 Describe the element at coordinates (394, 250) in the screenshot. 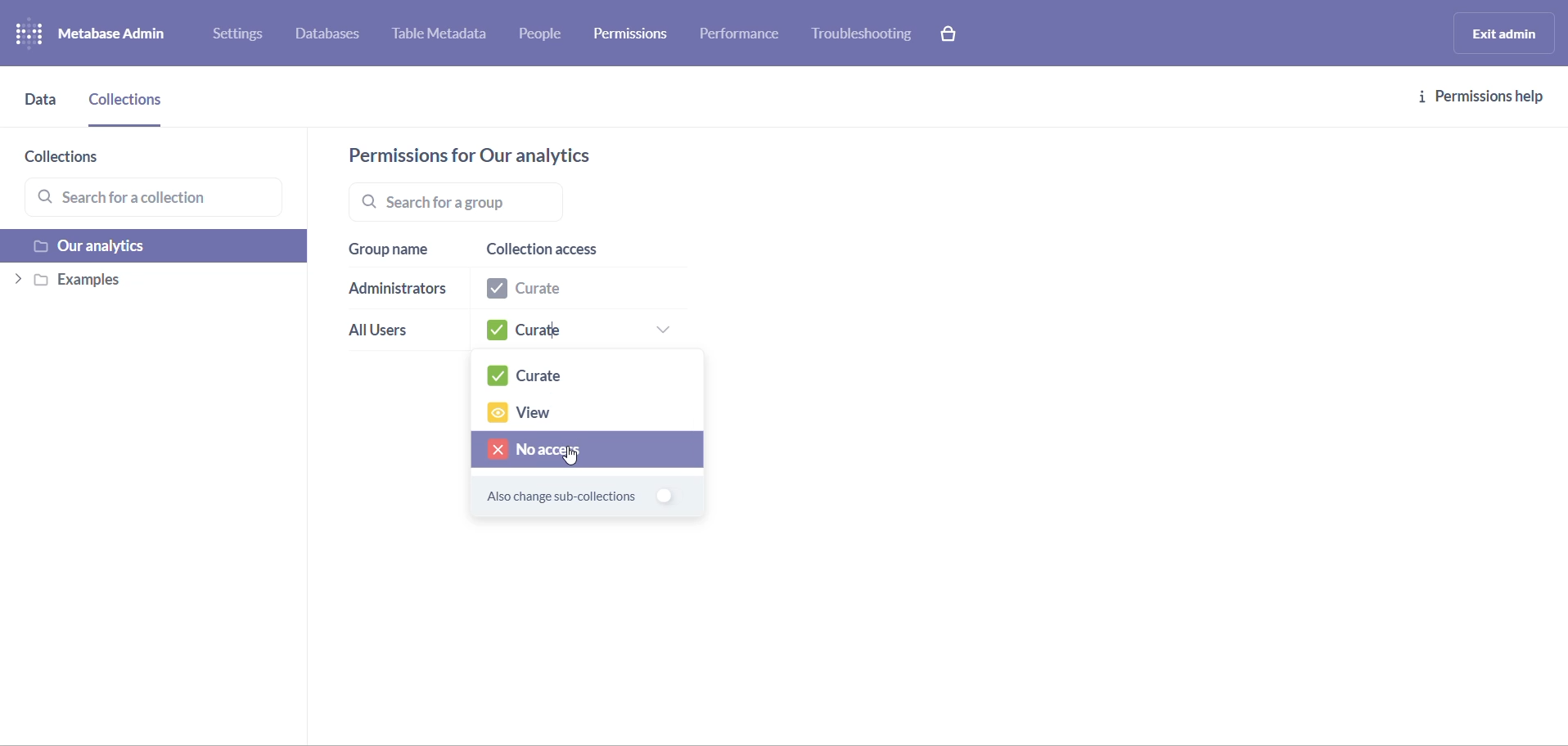

I see `group name` at that location.